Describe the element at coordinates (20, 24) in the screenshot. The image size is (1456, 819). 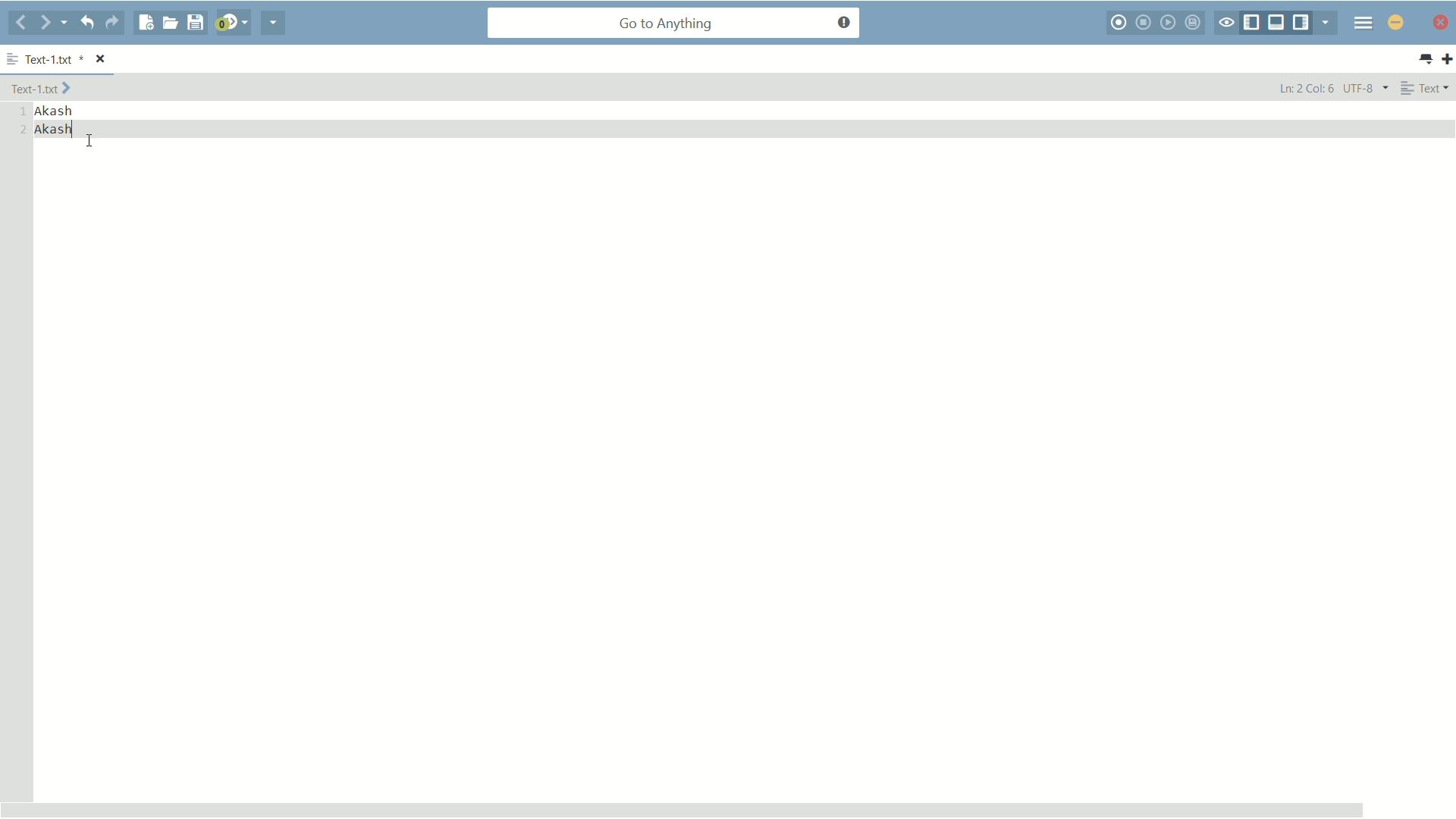
I see `back` at that location.